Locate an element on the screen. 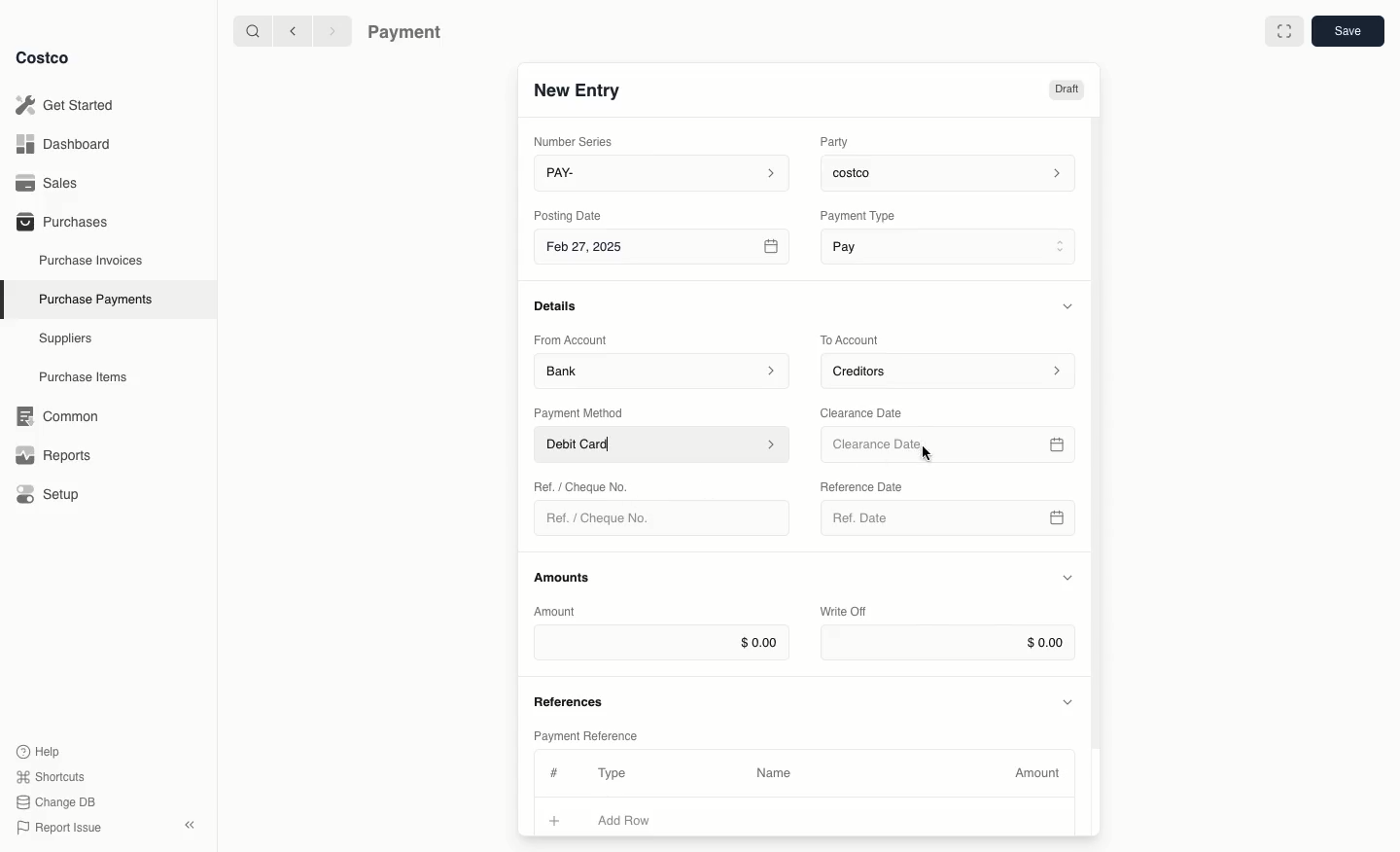 The image size is (1400, 852). Posting Date is located at coordinates (570, 214).